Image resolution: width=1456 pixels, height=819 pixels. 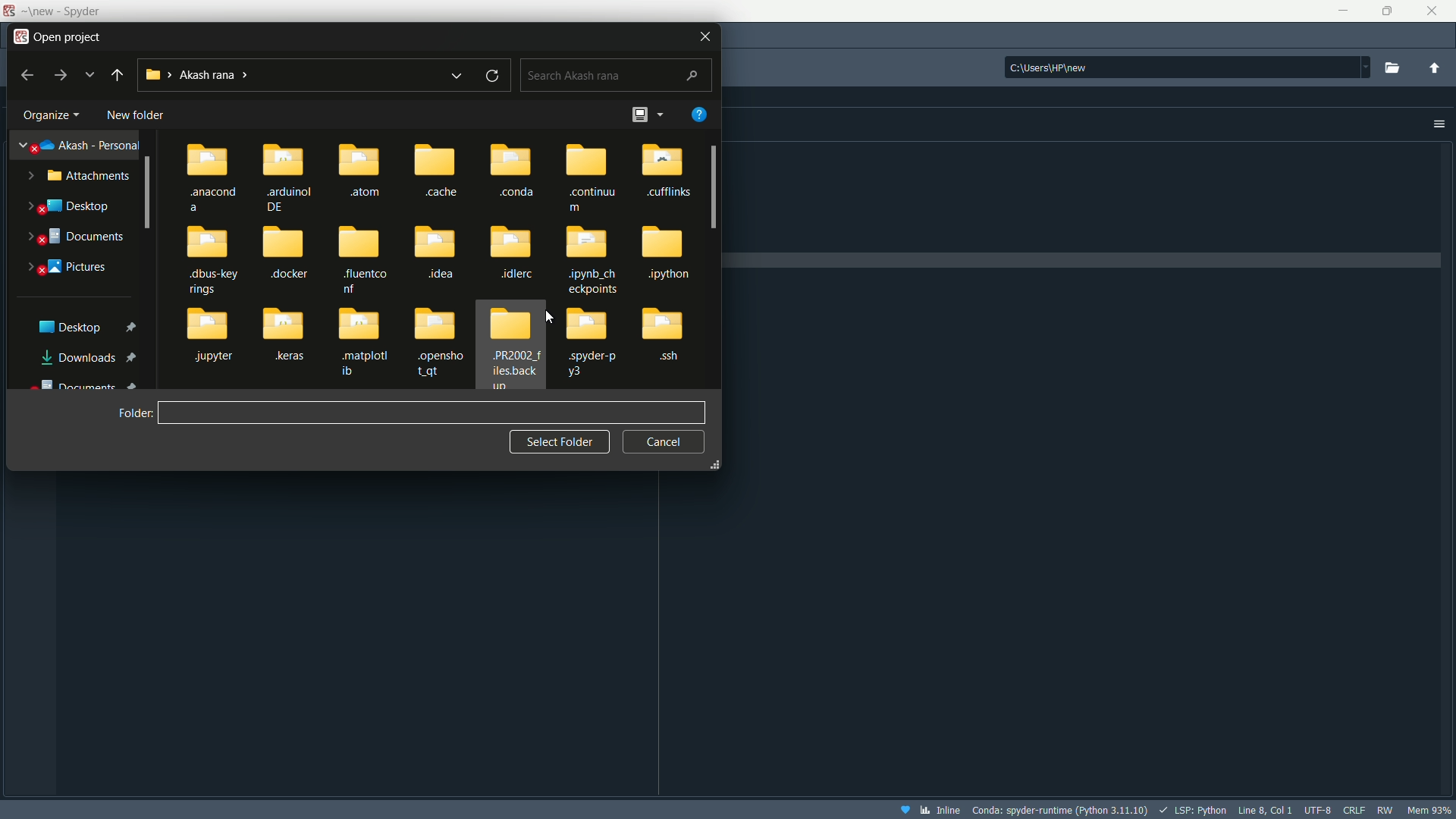 What do you see at coordinates (90, 74) in the screenshot?
I see `previous locations` at bounding box center [90, 74].